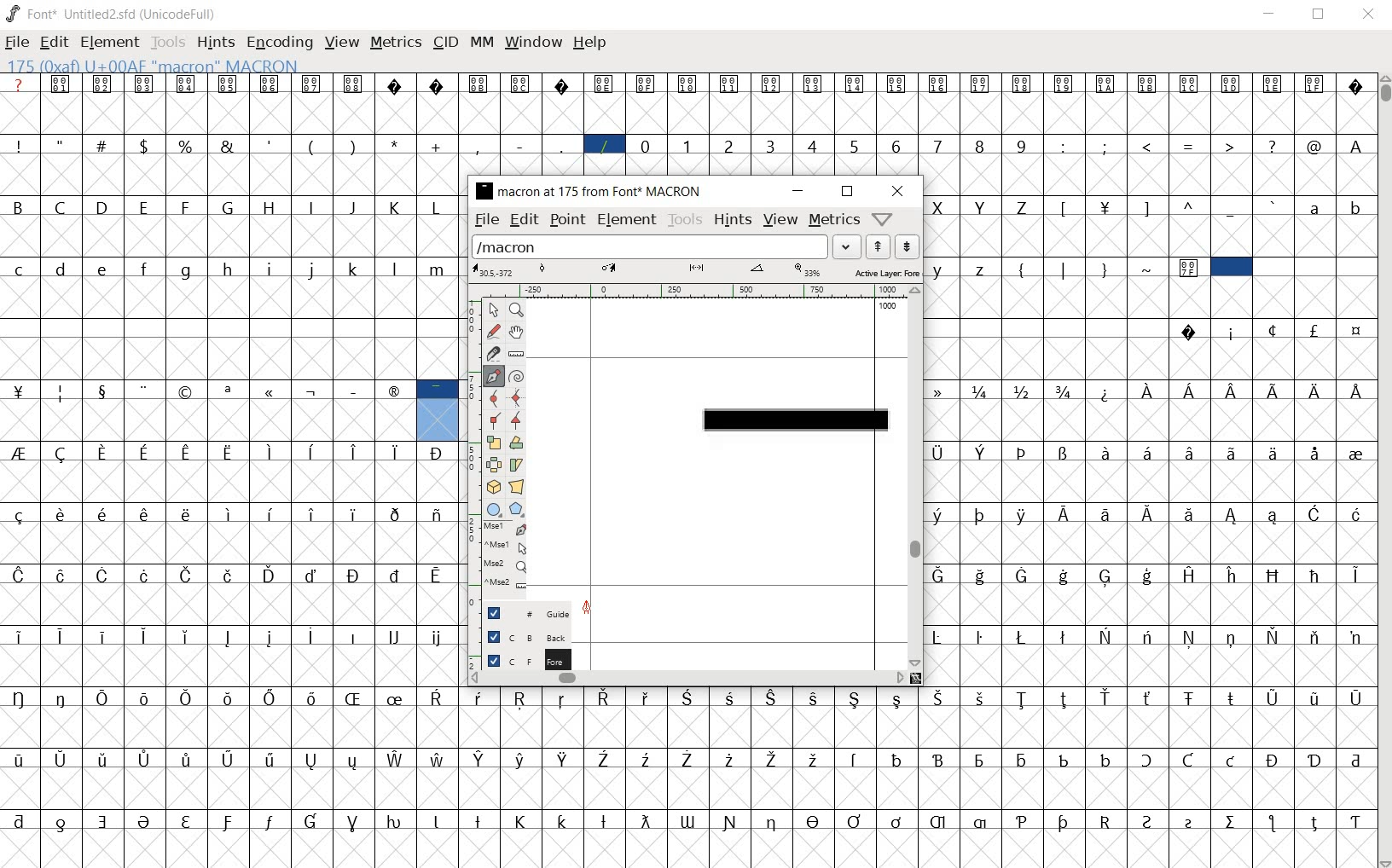 This screenshot has width=1392, height=868. Describe the element at coordinates (797, 420) in the screenshot. I see `over line glyph added` at that location.